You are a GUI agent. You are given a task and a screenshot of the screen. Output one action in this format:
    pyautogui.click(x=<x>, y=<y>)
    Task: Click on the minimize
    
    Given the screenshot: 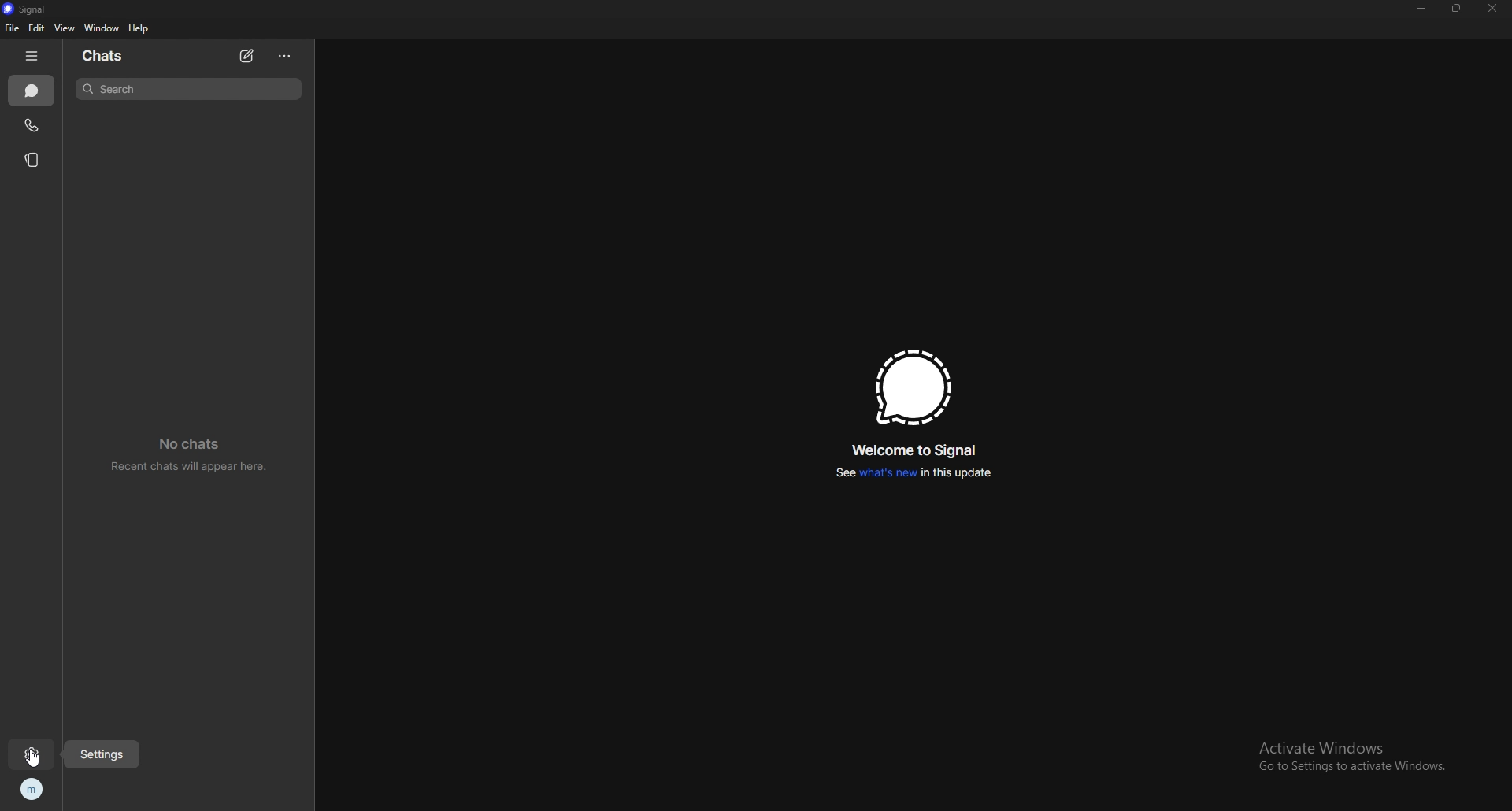 What is the action you would take?
    pyautogui.click(x=1422, y=8)
    